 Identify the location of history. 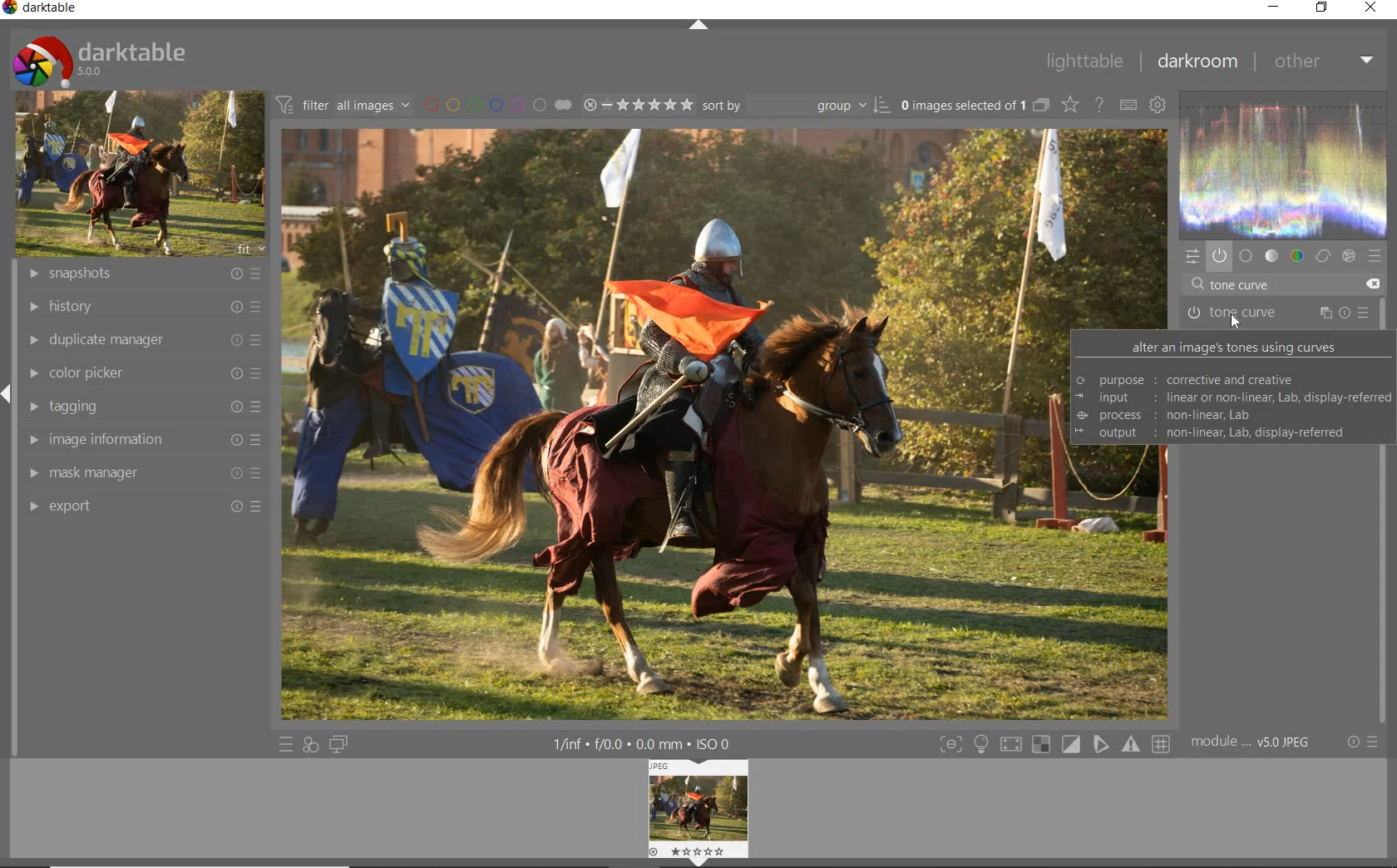
(142, 308).